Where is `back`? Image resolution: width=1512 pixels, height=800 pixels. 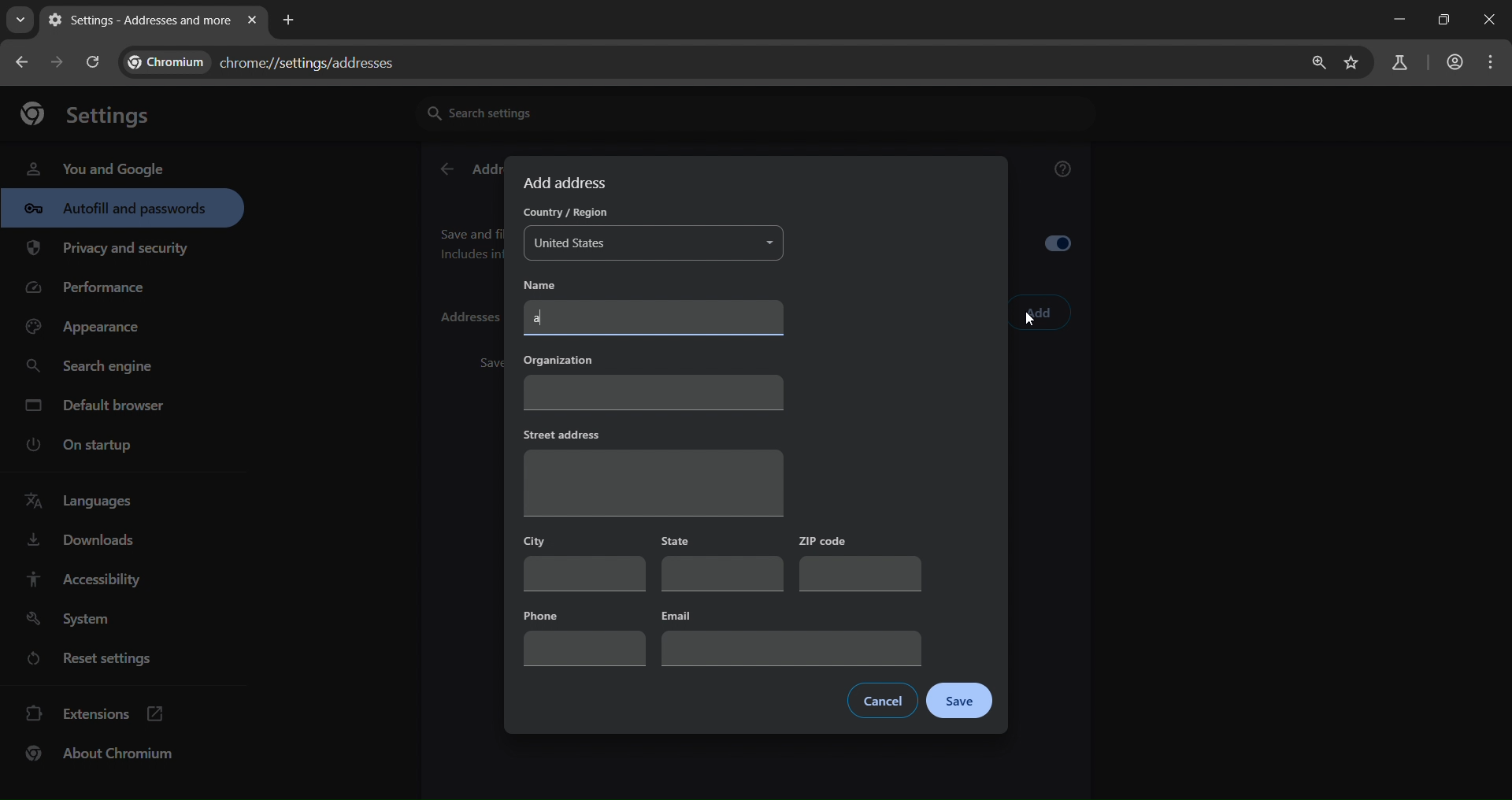
back is located at coordinates (446, 170).